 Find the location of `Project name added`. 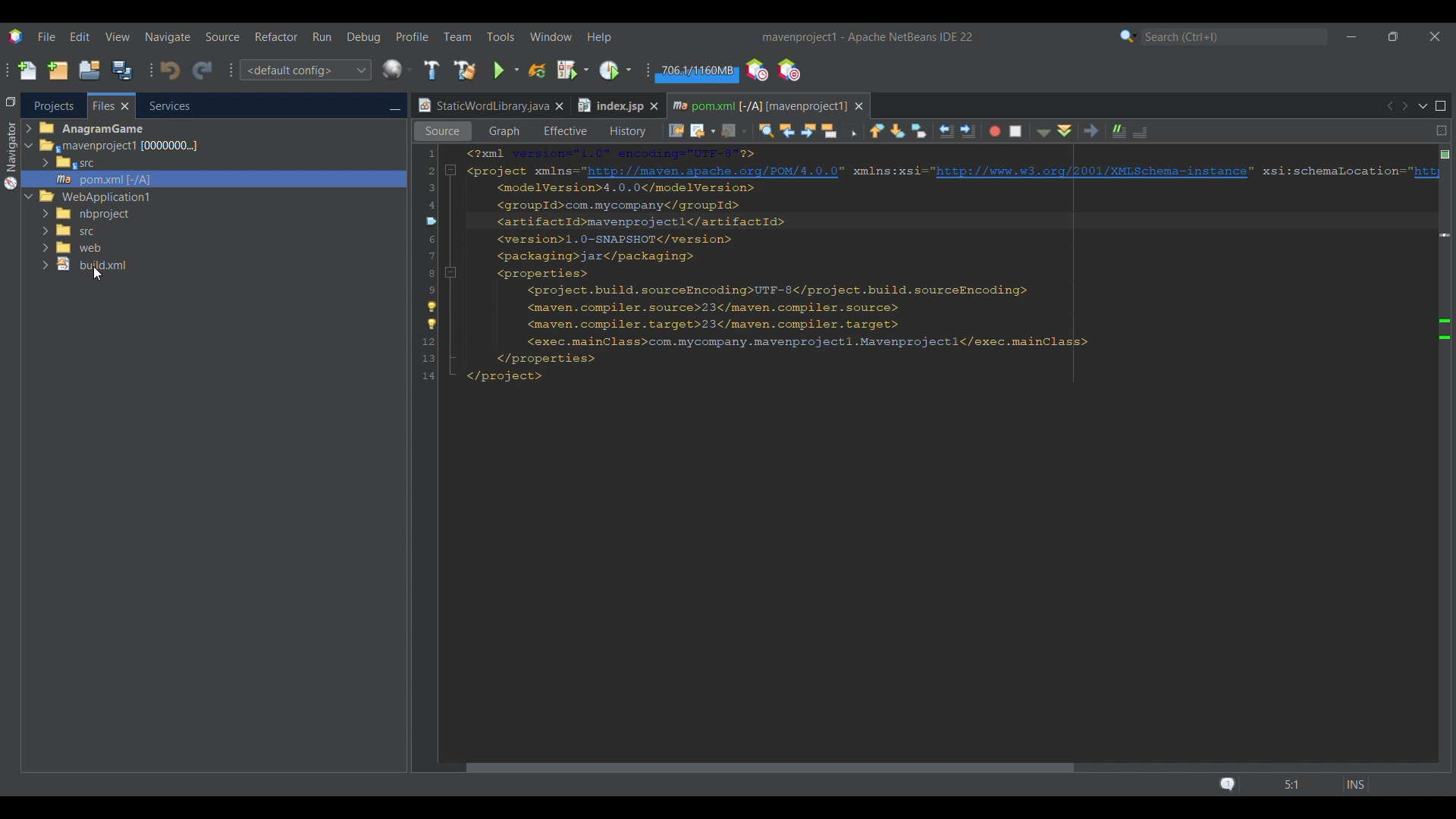

Project name added is located at coordinates (867, 37).